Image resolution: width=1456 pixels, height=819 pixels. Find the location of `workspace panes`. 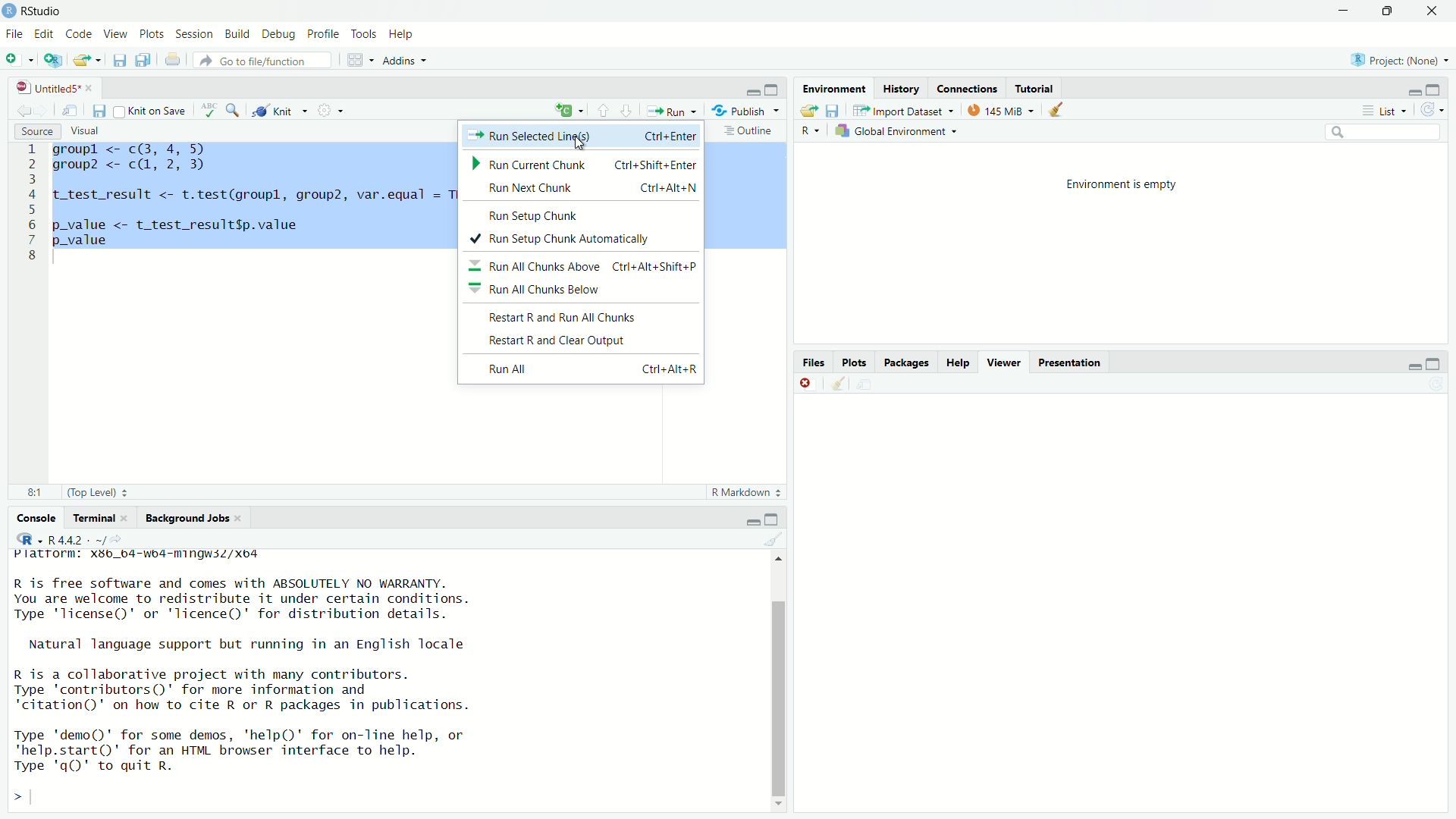

workspace panes is located at coordinates (354, 58).